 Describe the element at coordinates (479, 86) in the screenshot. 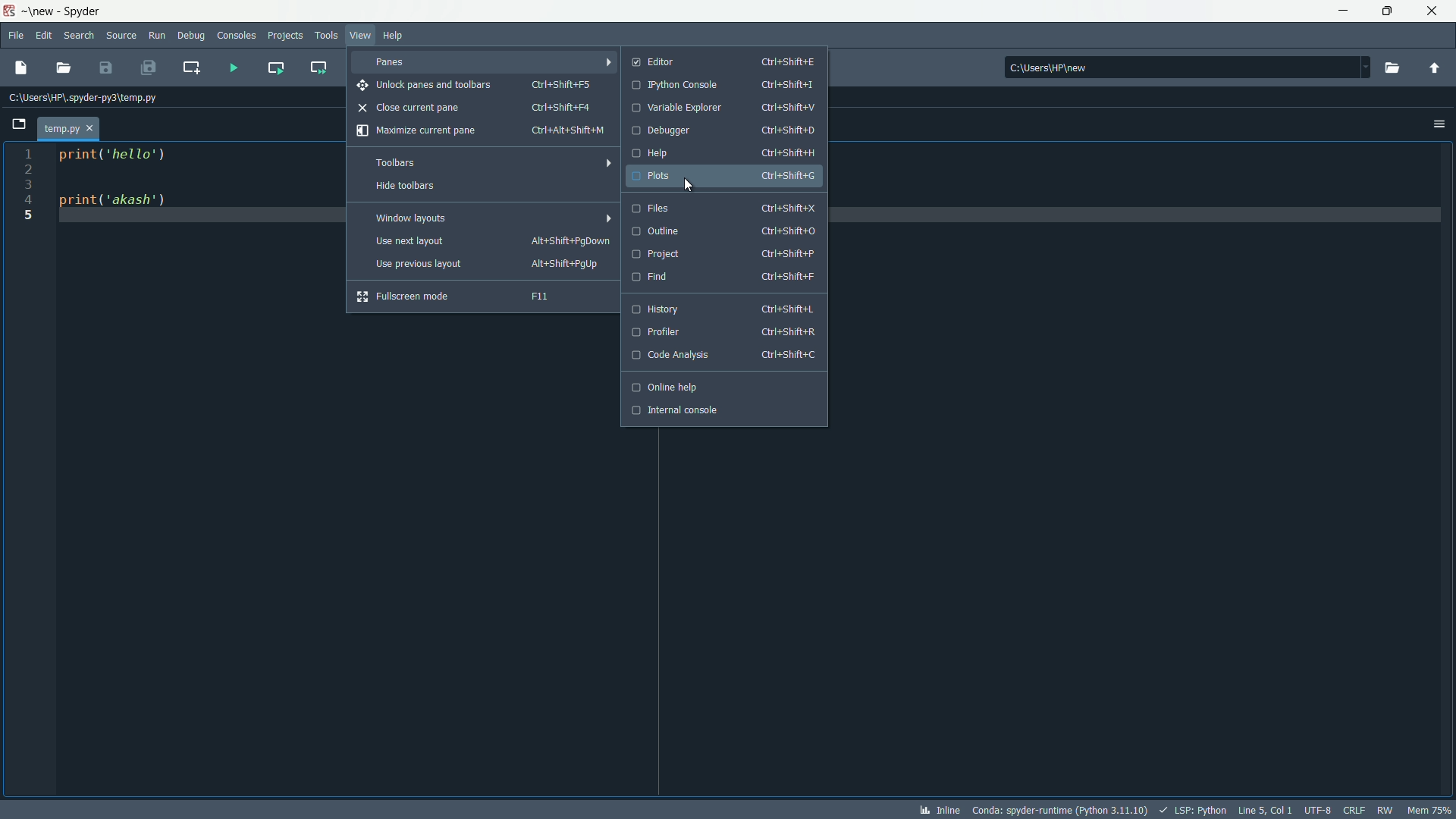

I see `unlock panes and toolbars` at that location.